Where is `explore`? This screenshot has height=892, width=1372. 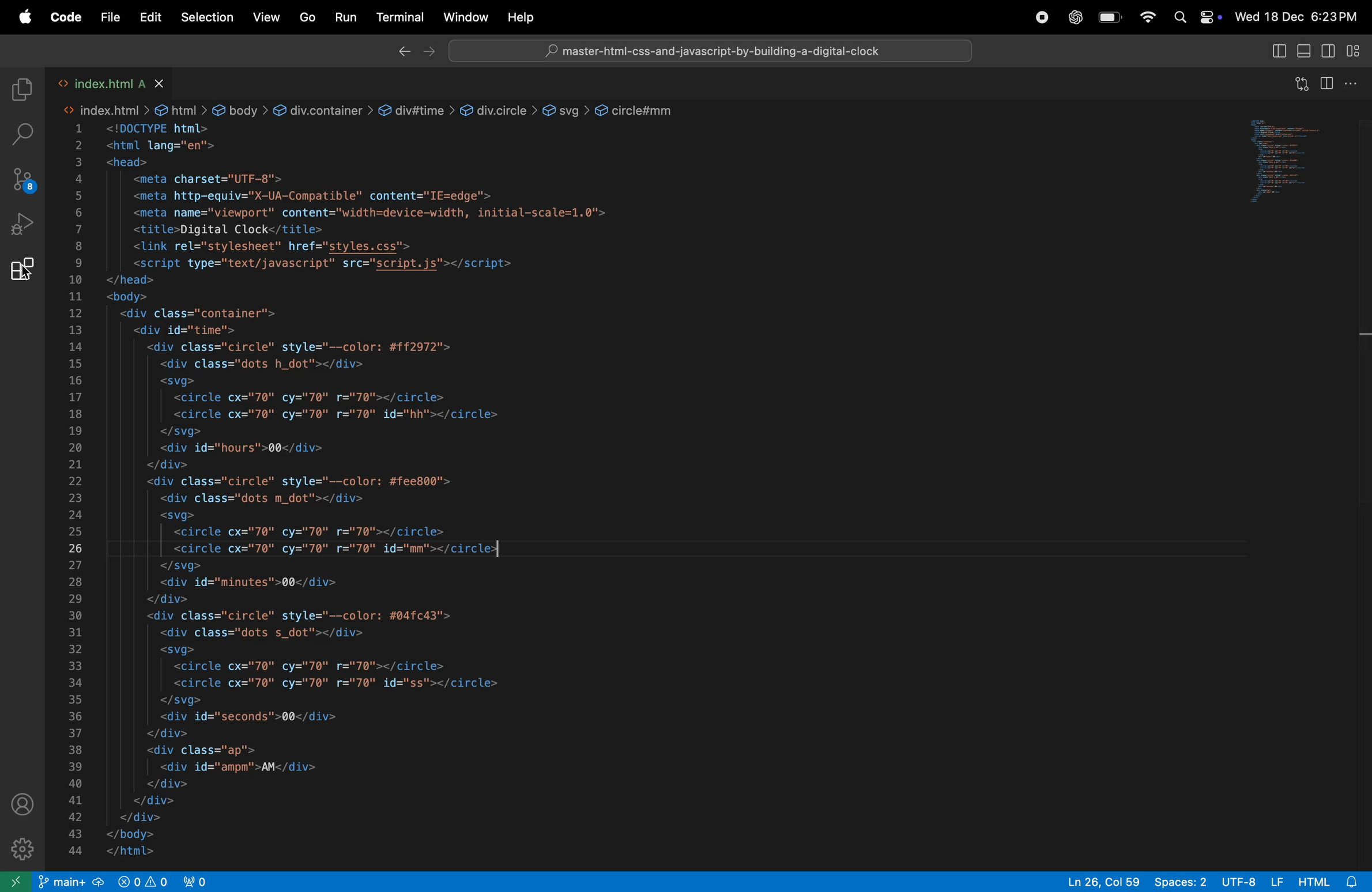
explore is located at coordinates (21, 90).